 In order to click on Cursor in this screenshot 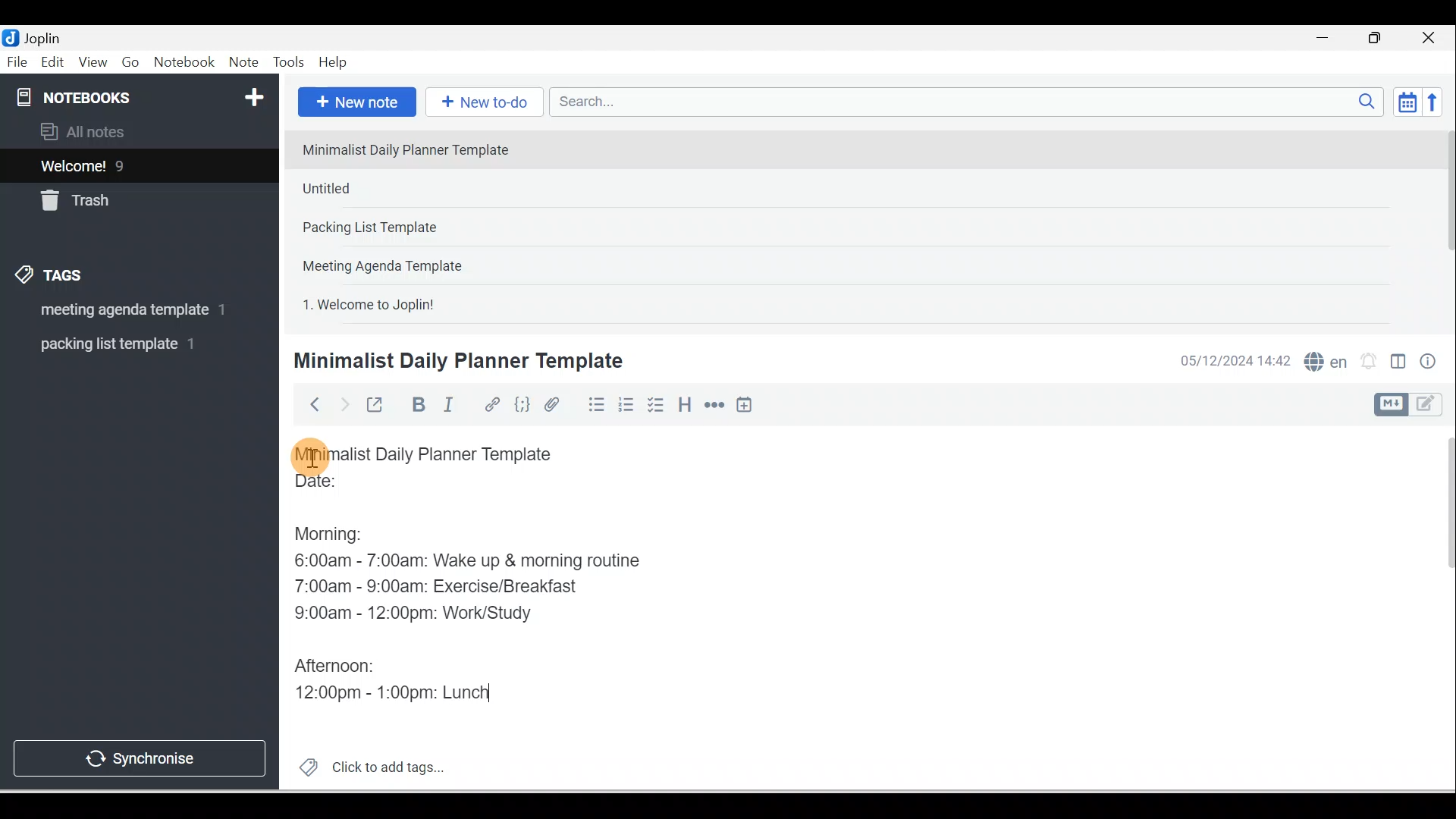, I will do `click(311, 455)`.